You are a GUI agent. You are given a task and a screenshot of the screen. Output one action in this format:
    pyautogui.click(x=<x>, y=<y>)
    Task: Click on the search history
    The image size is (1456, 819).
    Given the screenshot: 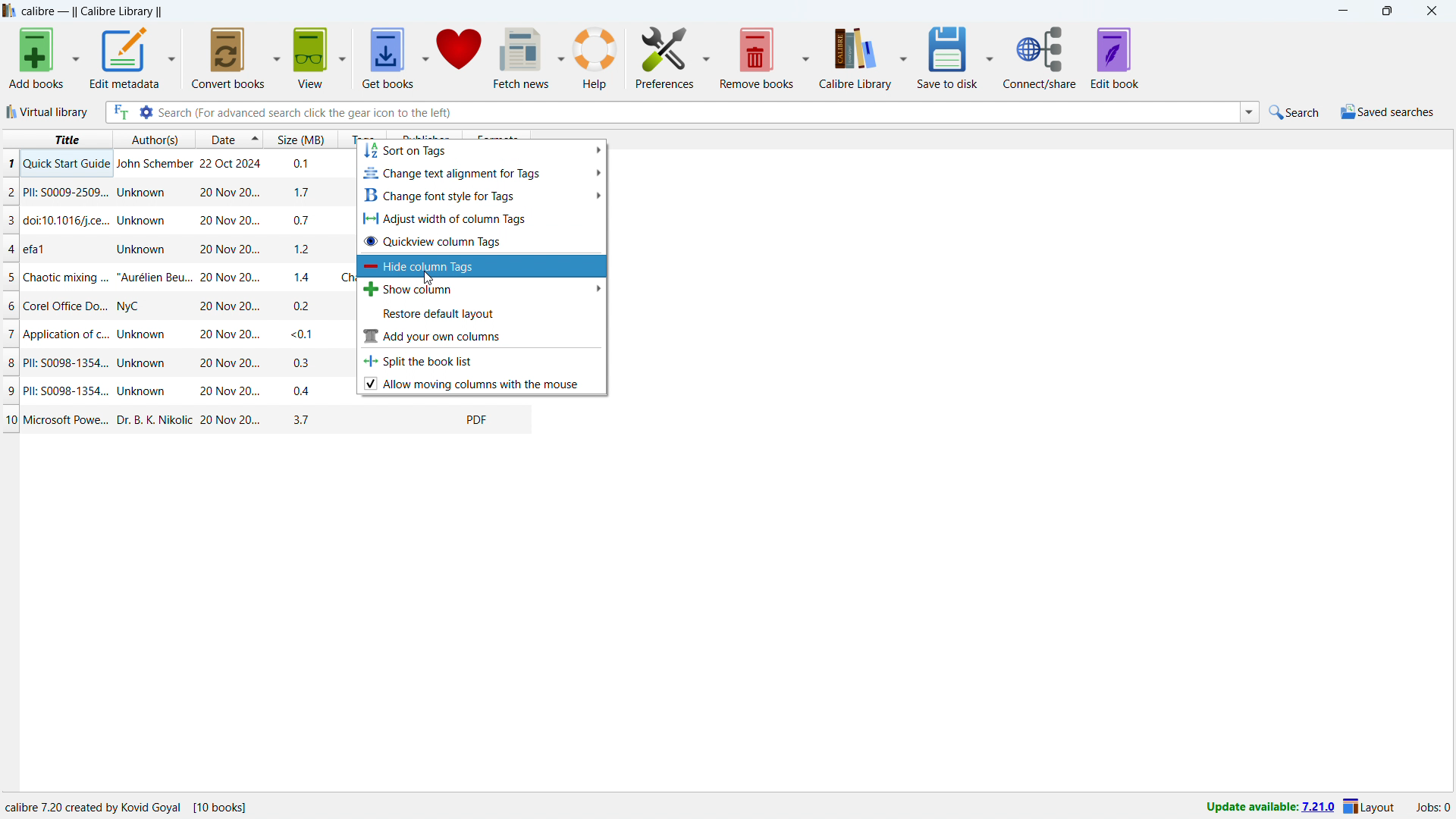 What is the action you would take?
    pyautogui.click(x=1250, y=111)
    